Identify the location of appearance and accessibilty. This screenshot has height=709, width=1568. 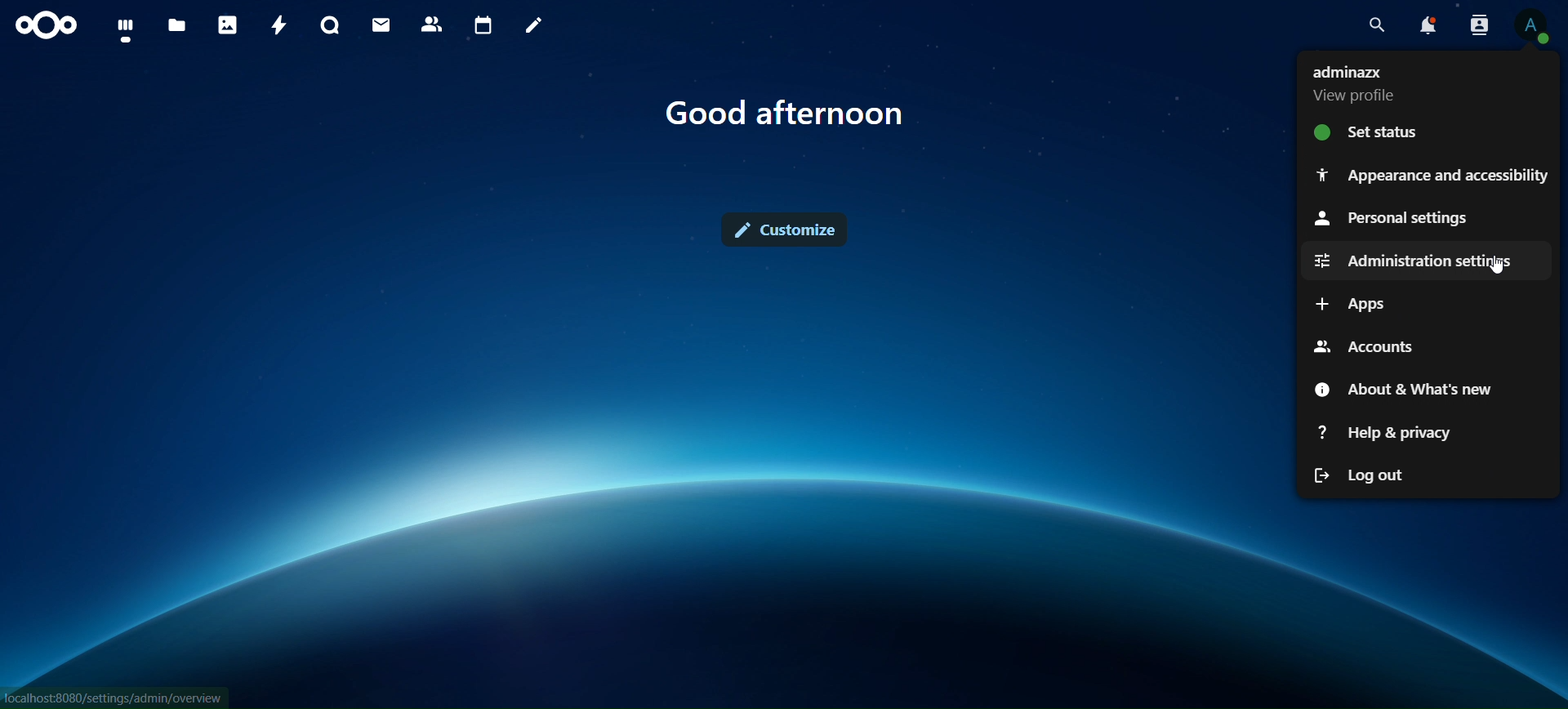
(1429, 176).